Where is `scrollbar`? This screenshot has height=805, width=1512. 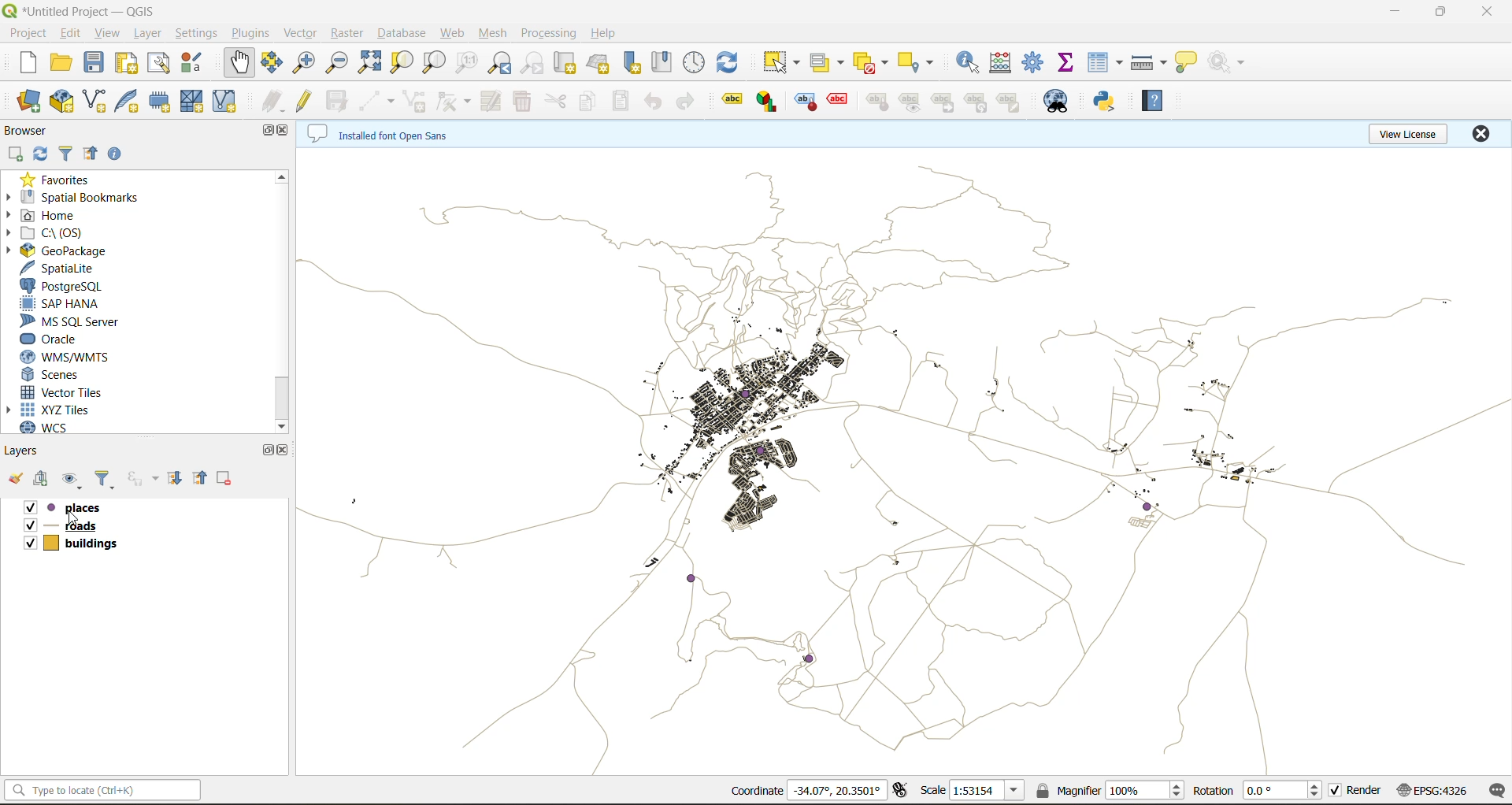 scrollbar is located at coordinates (283, 400).